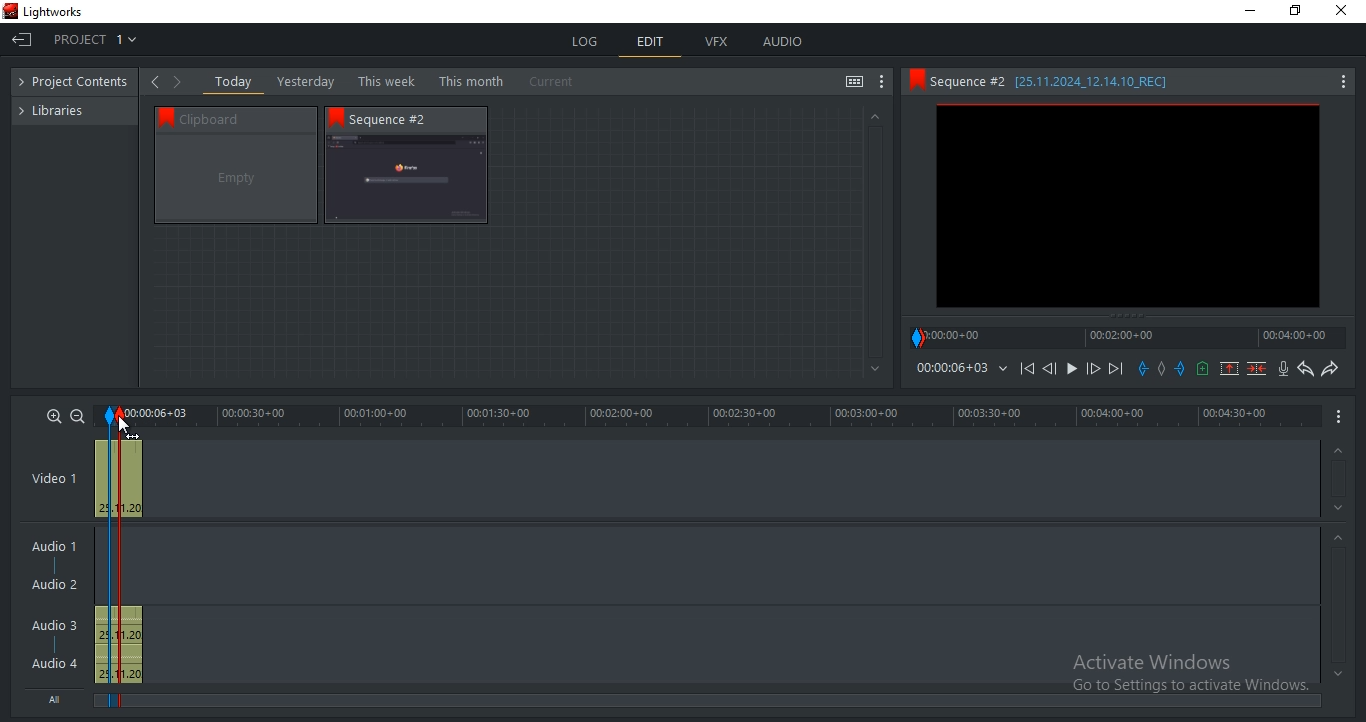  I want to click on show settings menu, so click(882, 82).